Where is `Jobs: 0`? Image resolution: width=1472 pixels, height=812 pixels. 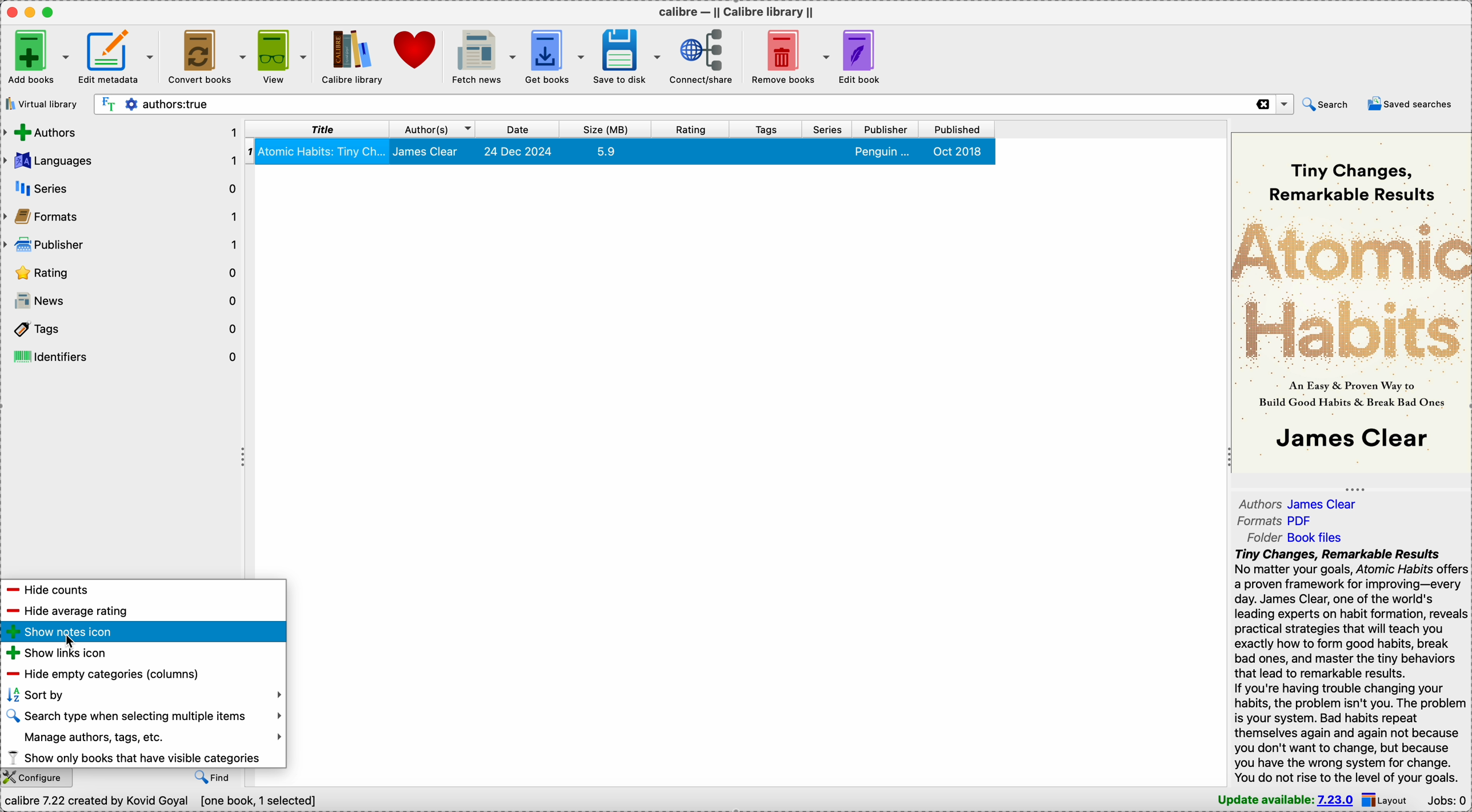
Jobs: 0 is located at coordinates (1446, 801).